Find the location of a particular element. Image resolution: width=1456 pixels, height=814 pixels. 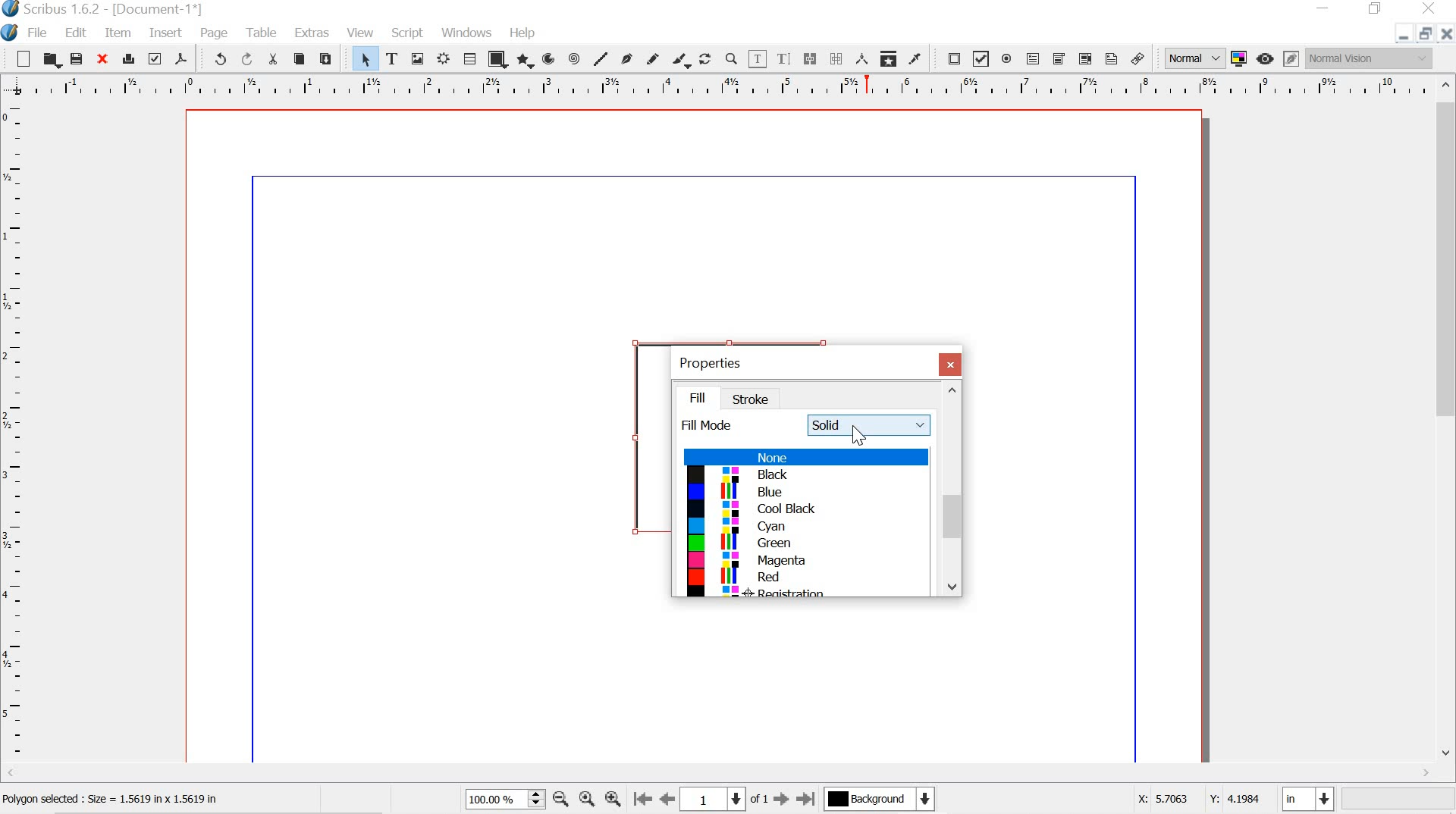

100.00 % is located at coordinates (492, 800).